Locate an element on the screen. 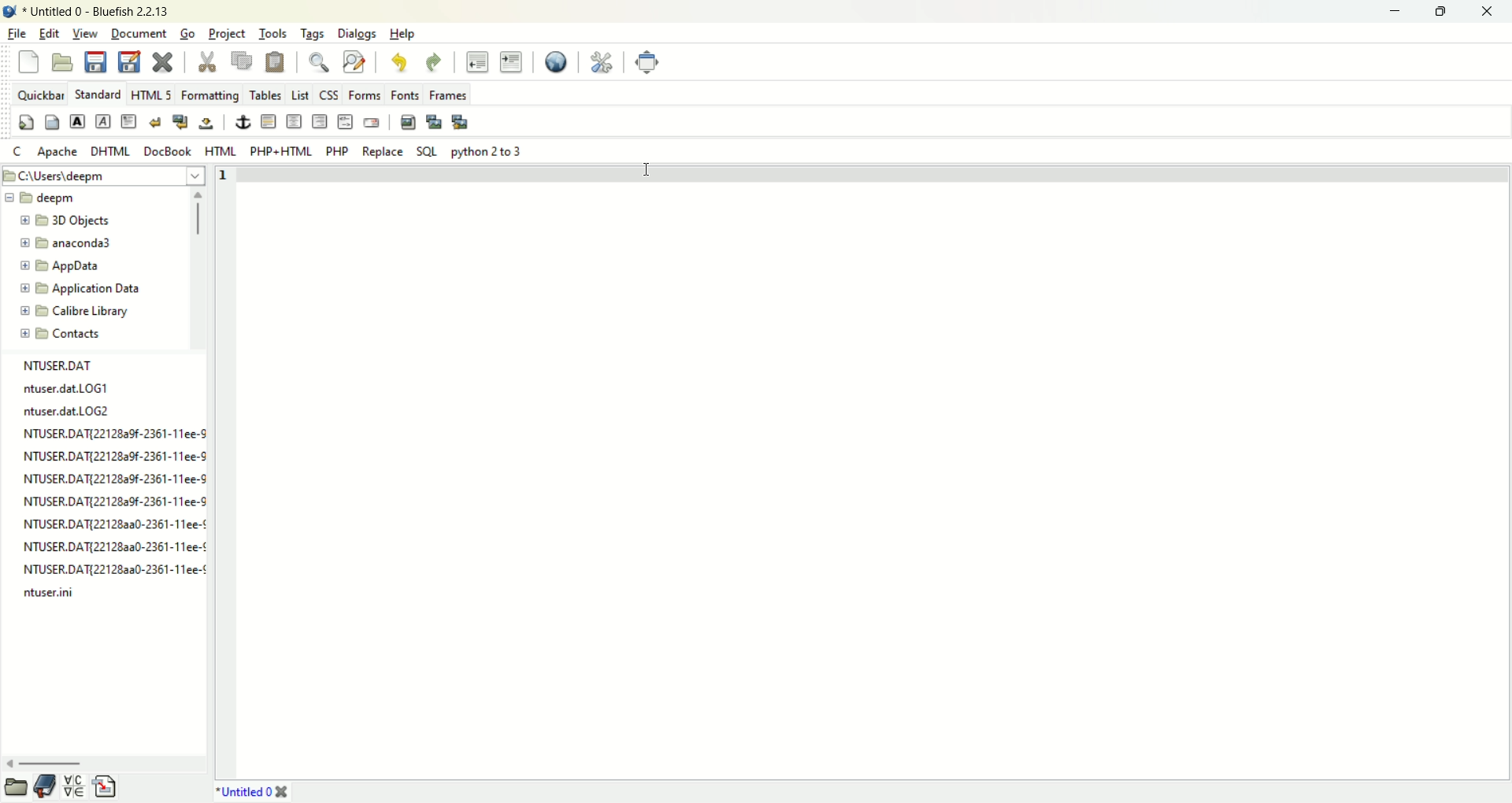 The height and width of the screenshot is (803, 1512). HTML is located at coordinates (220, 152).